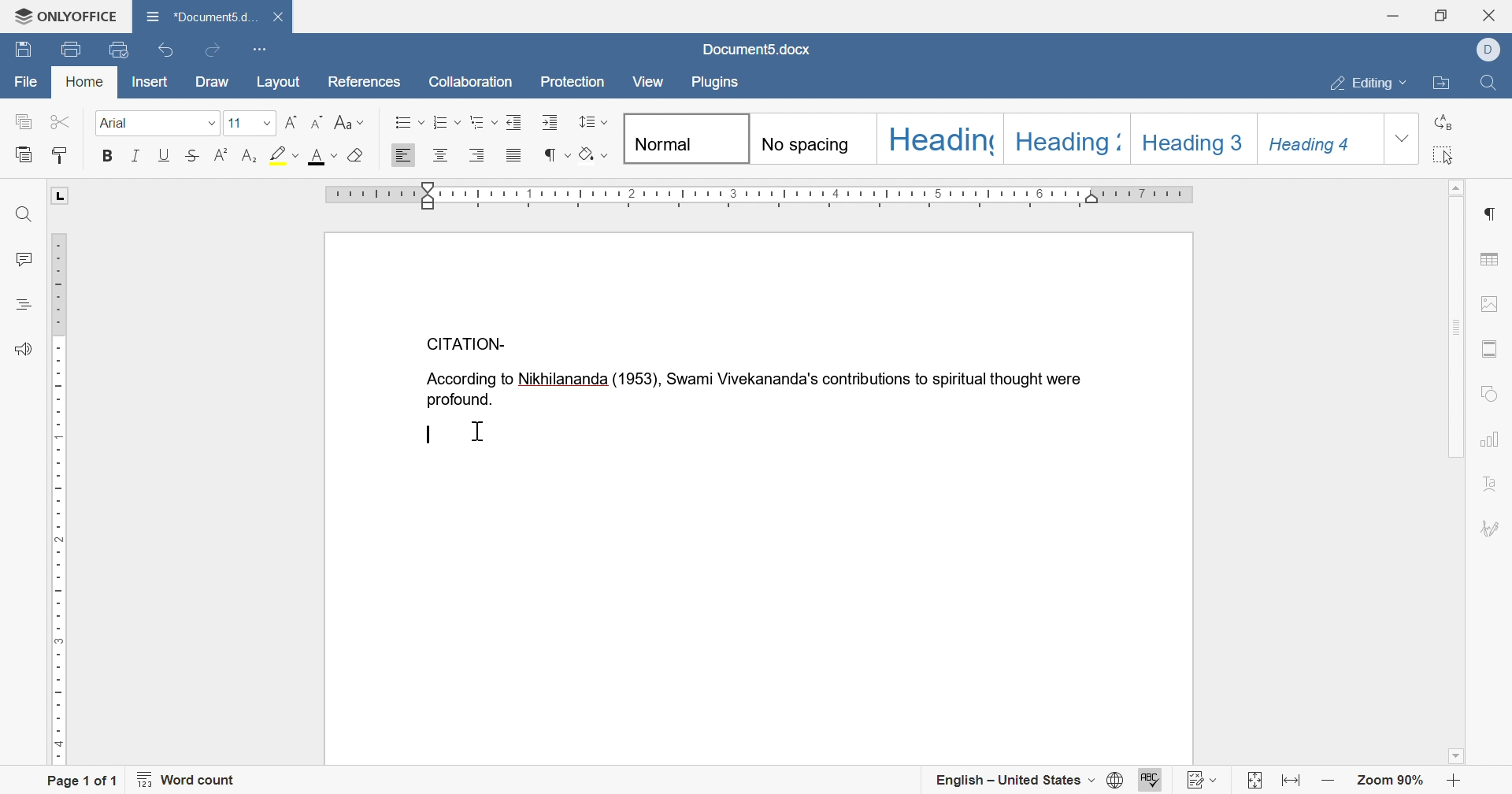 The height and width of the screenshot is (794, 1512). Describe the element at coordinates (221, 154) in the screenshot. I see `superscript` at that location.